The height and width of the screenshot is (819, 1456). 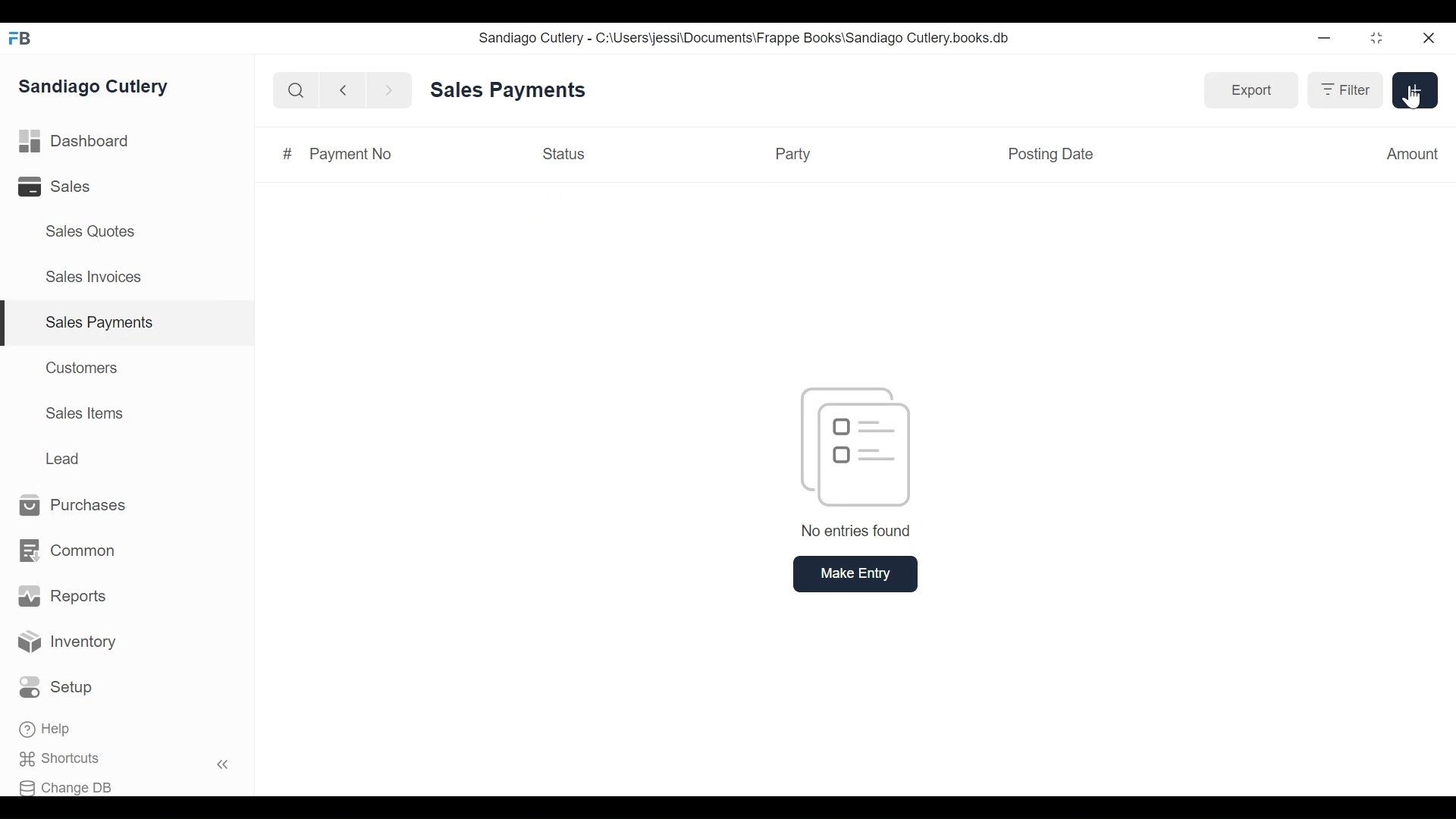 What do you see at coordinates (1415, 91) in the screenshot?
I see `+` at bounding box center [1415, 91].